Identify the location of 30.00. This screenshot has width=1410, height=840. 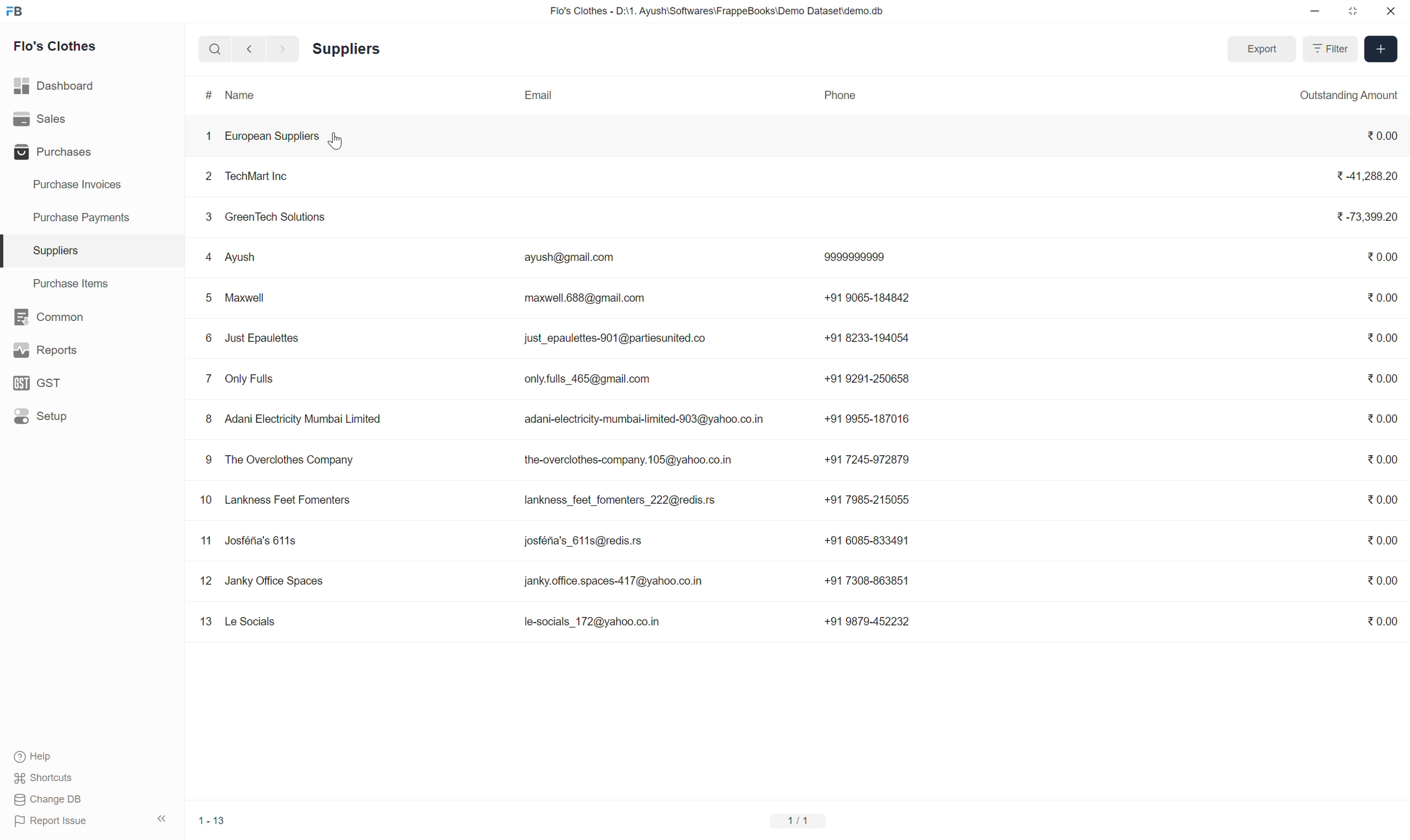
(1371, 458).